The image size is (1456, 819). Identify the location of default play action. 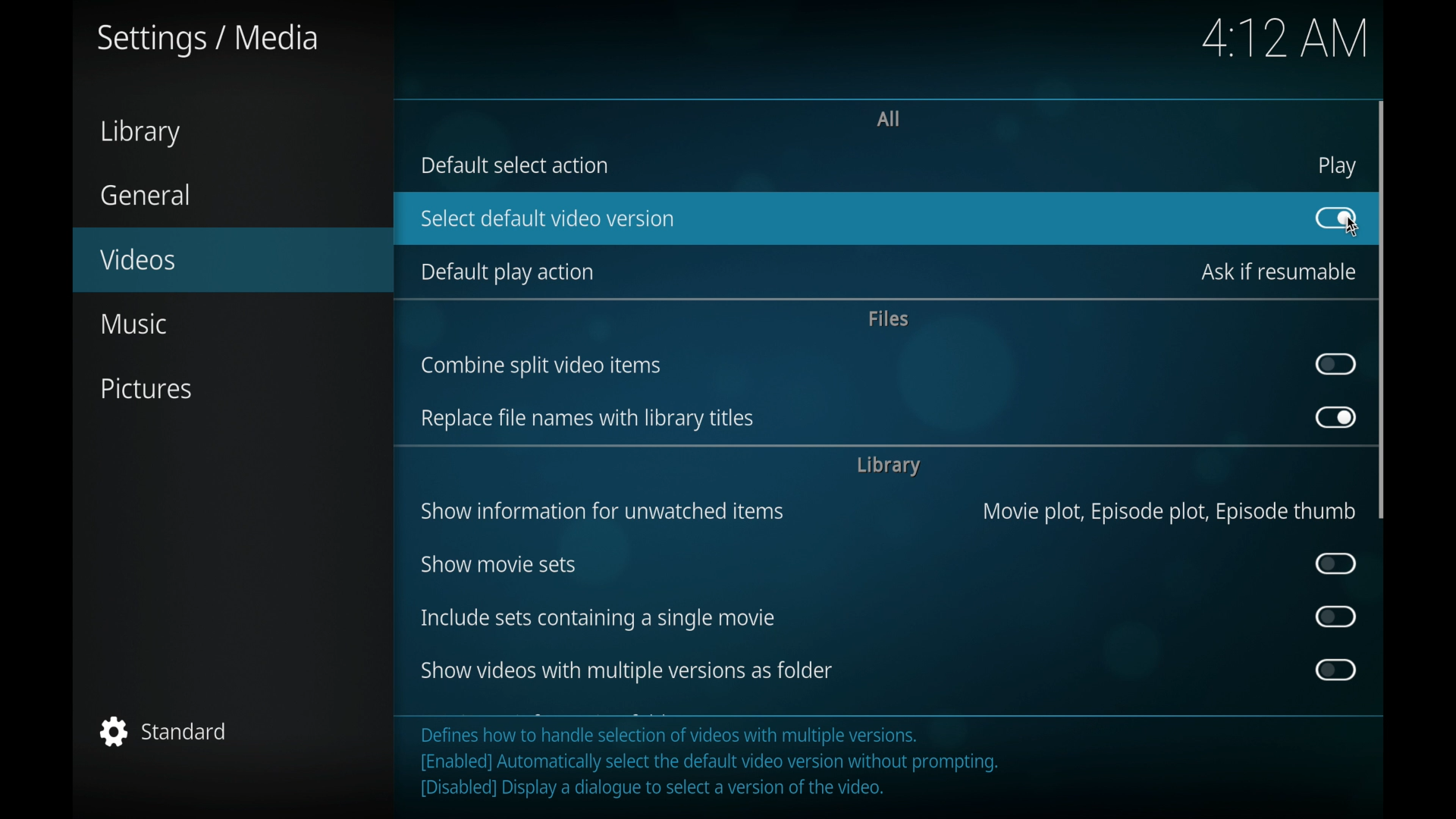
(504, 273).